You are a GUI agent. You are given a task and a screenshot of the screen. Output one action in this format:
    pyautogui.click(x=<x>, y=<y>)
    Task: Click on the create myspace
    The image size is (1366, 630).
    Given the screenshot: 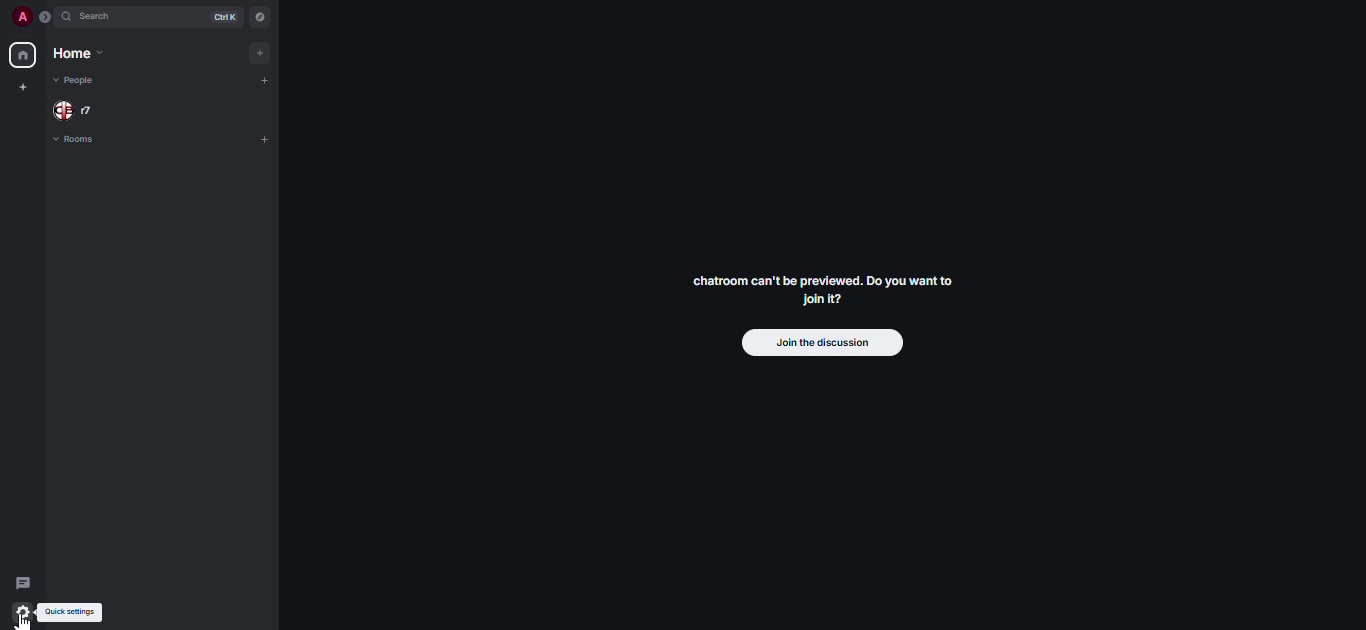 What is the action you would take?
    pyautogui.click(x=25, y=86)
    